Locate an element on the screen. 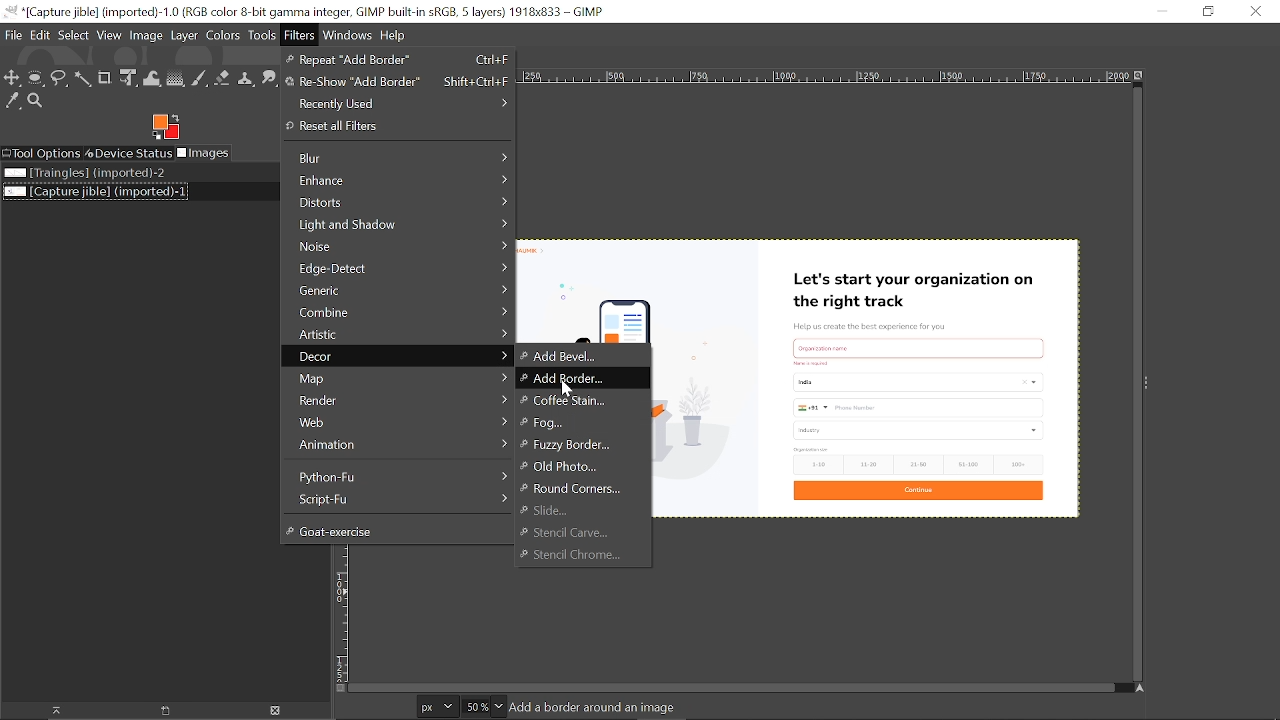 The width and height of the screenshot is (1280, 720). Fuzzy select tool is located at coordinates (82, 79).